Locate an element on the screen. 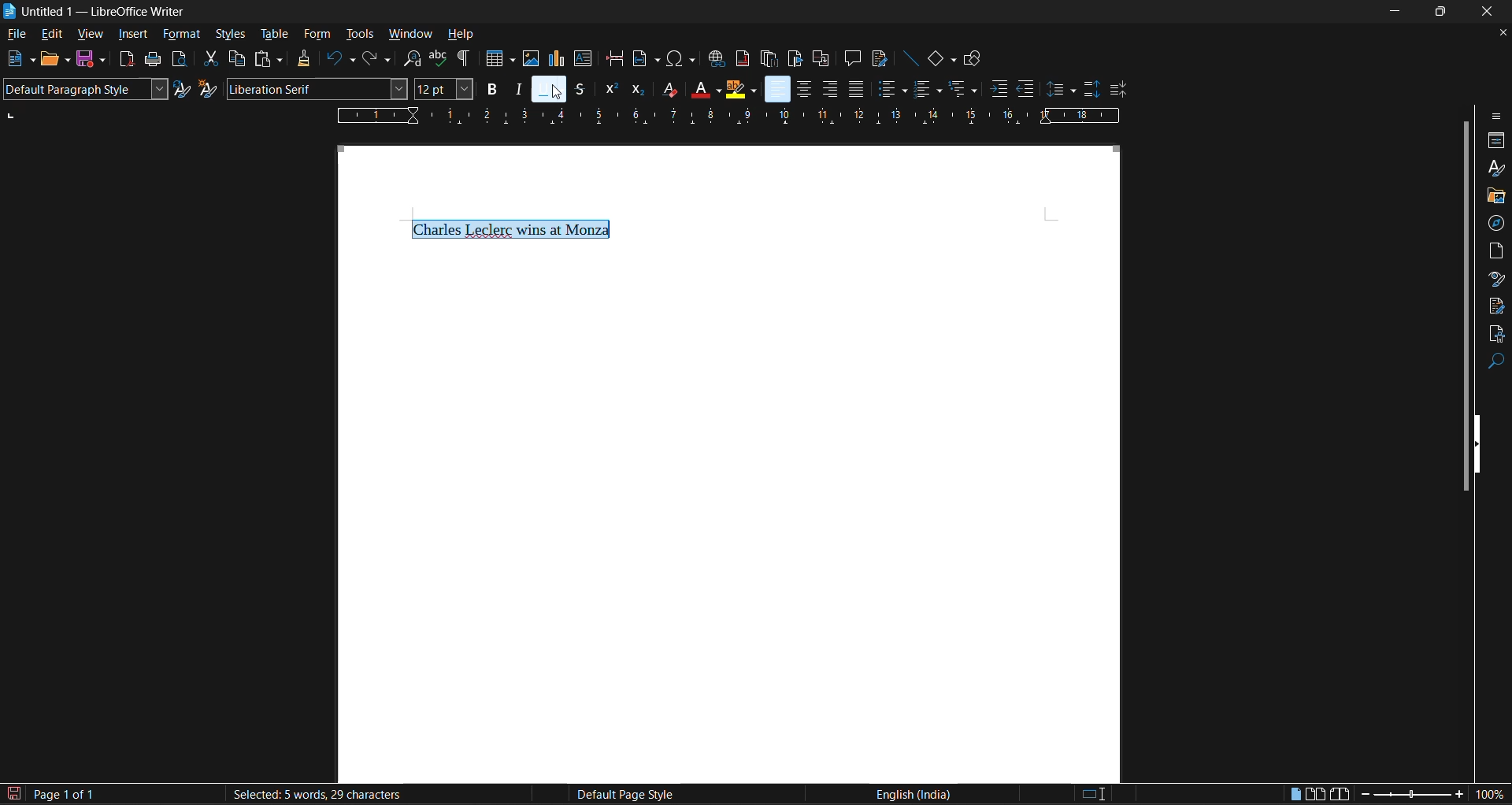 The image size is (1512, 805). new is located at coordinates (20, 59).